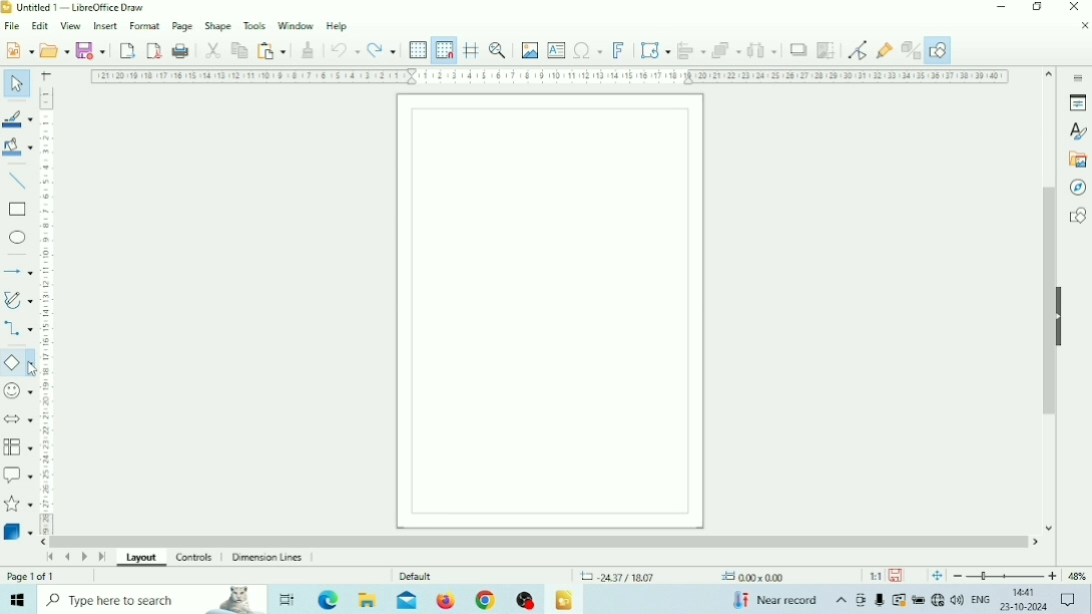 This screenshot has height=614, width=1092. What do you see at coordinates (654, 49) in the screenshot?
I see `Transformations` at bounding box center [654, 49].